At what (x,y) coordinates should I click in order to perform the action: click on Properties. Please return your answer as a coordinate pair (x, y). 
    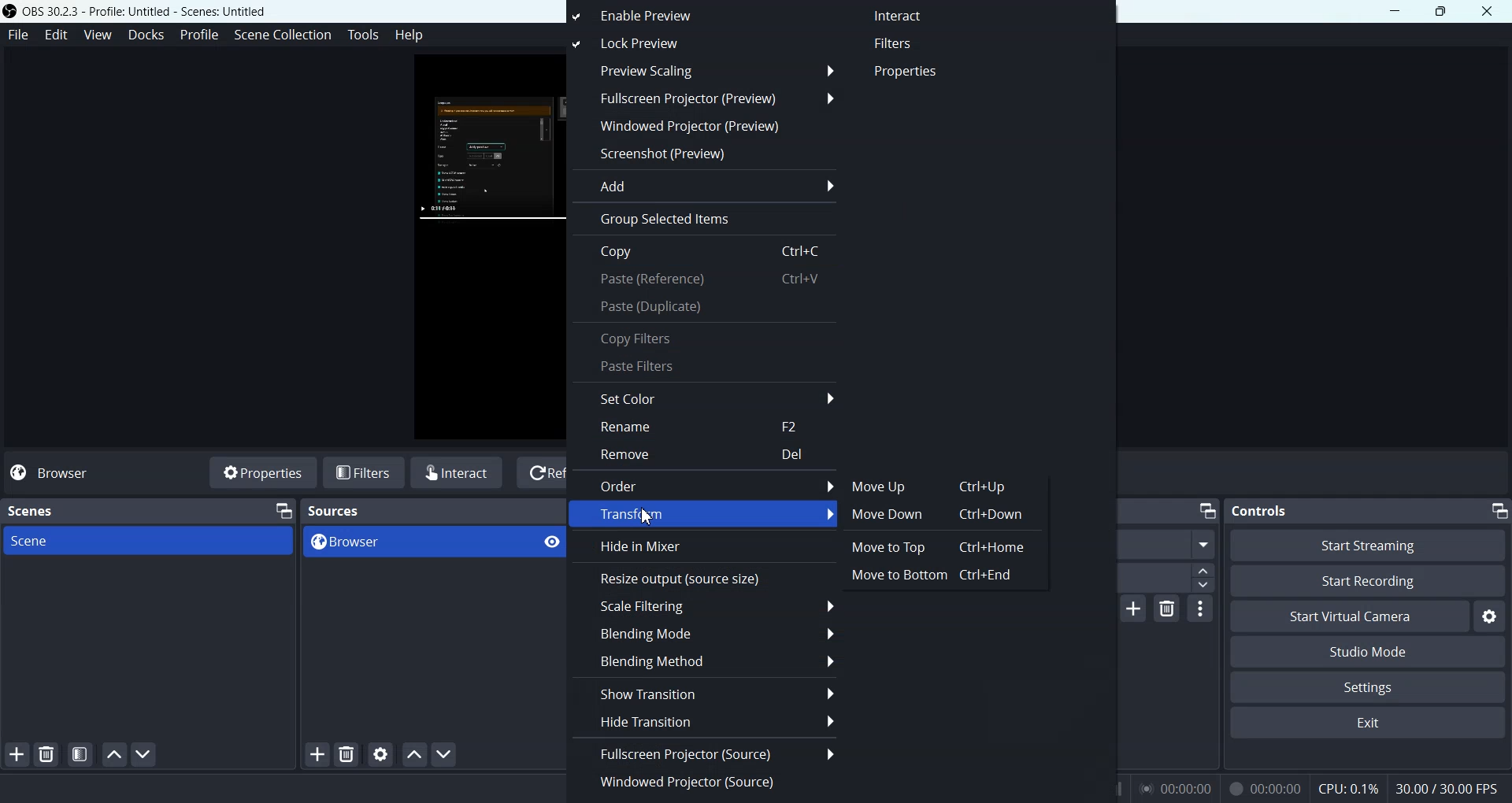
    Looking at the image, I should click on (261, 472).